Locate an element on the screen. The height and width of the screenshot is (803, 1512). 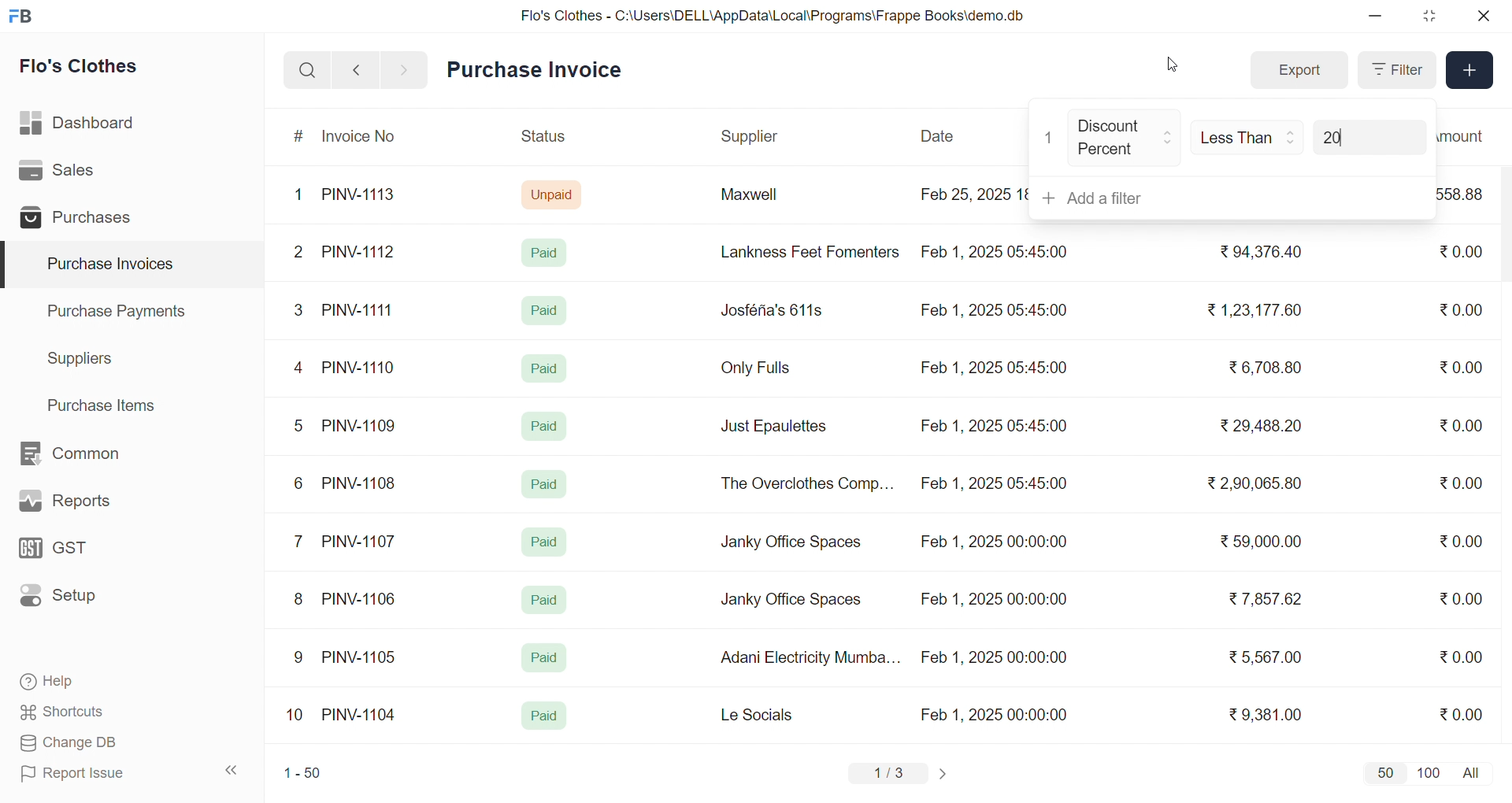
PINV-1107 is located at coordinates (362, 542).